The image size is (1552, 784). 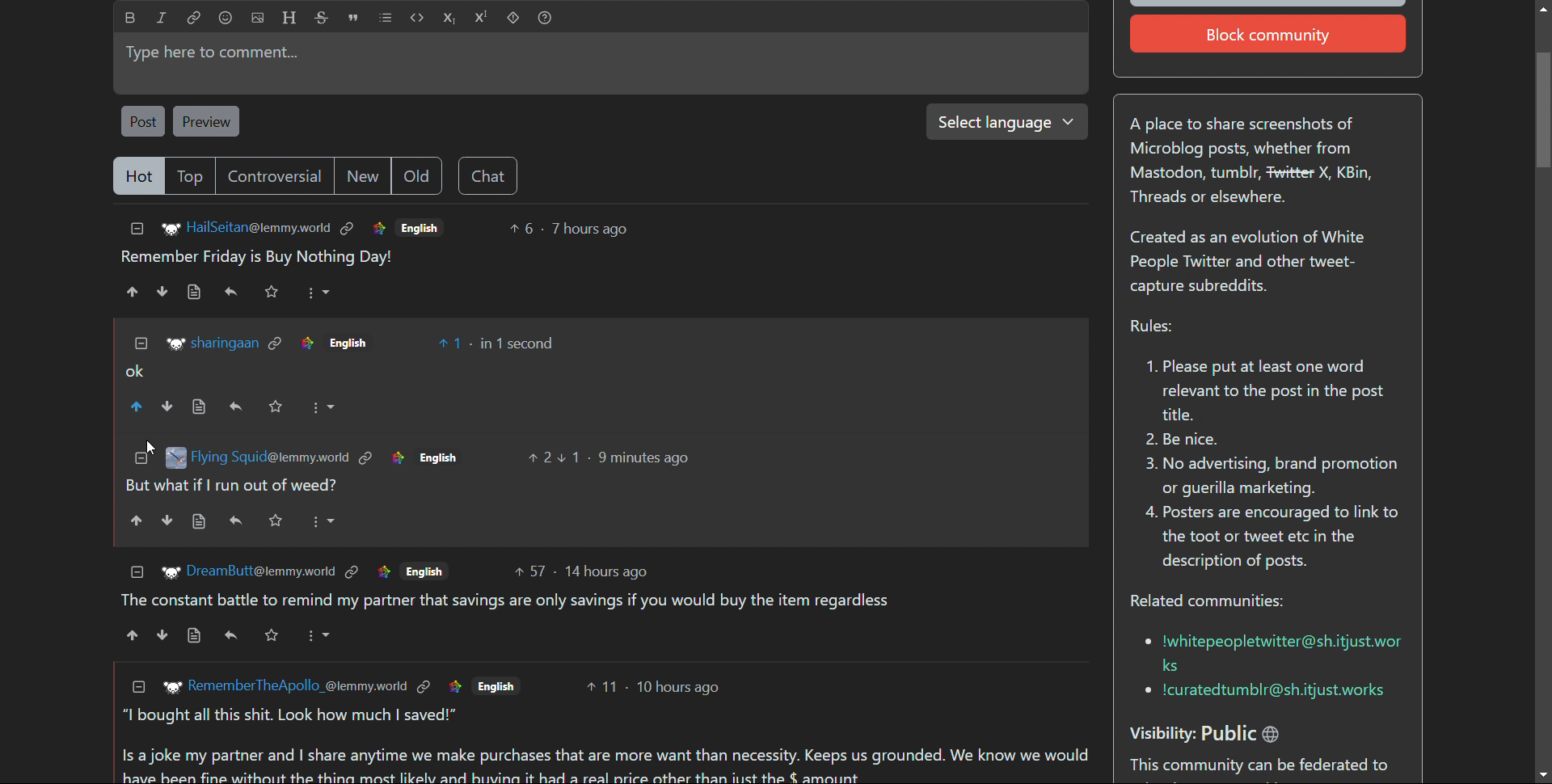 I want to click on preview, so click(x=205, y=121).